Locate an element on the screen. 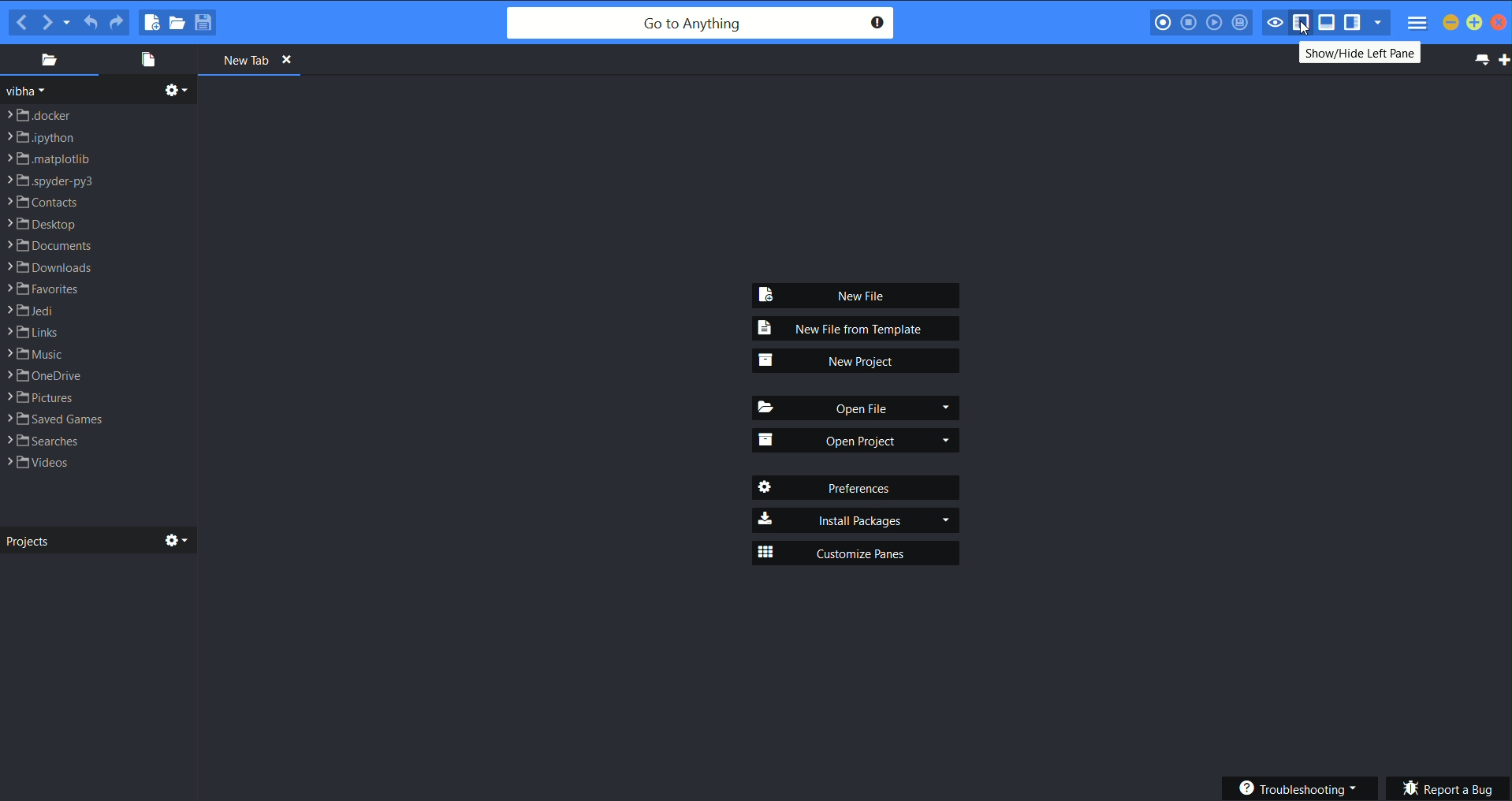 The height and width of the screenshot is (801, 1512). new project is located at coordinates (857, 360).